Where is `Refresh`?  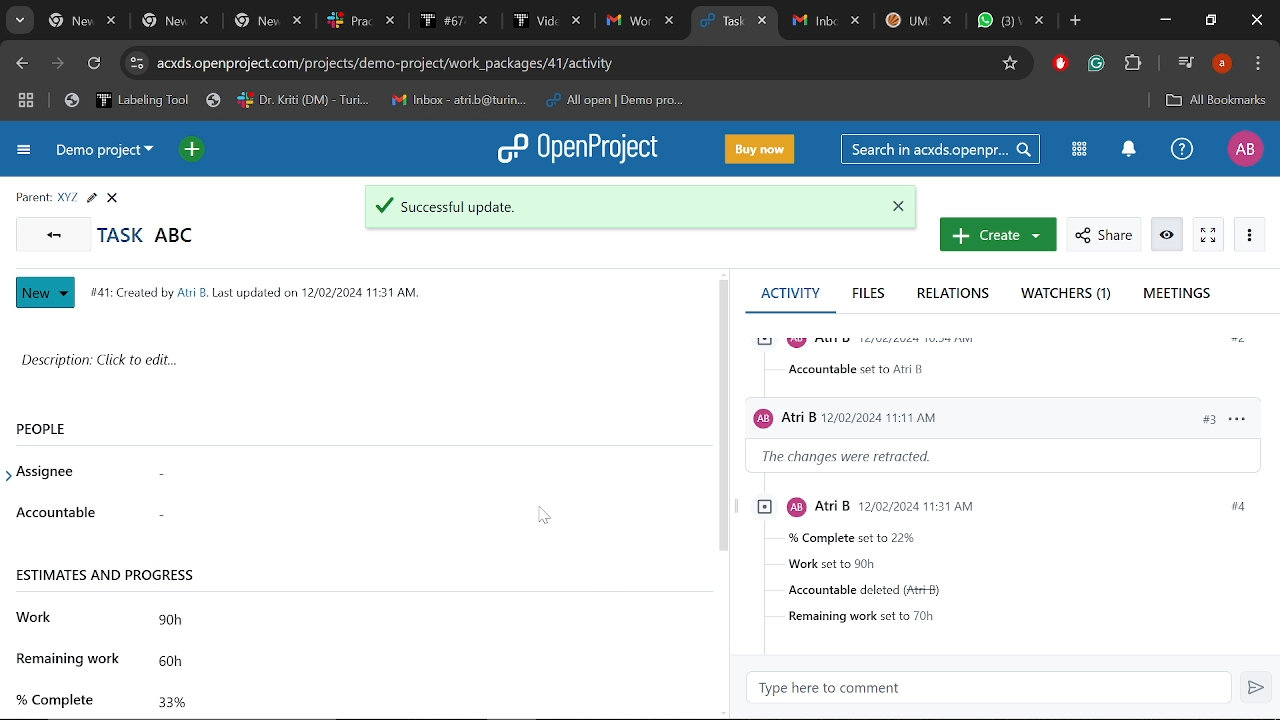 Refresh is located at coordinates (93, 65).